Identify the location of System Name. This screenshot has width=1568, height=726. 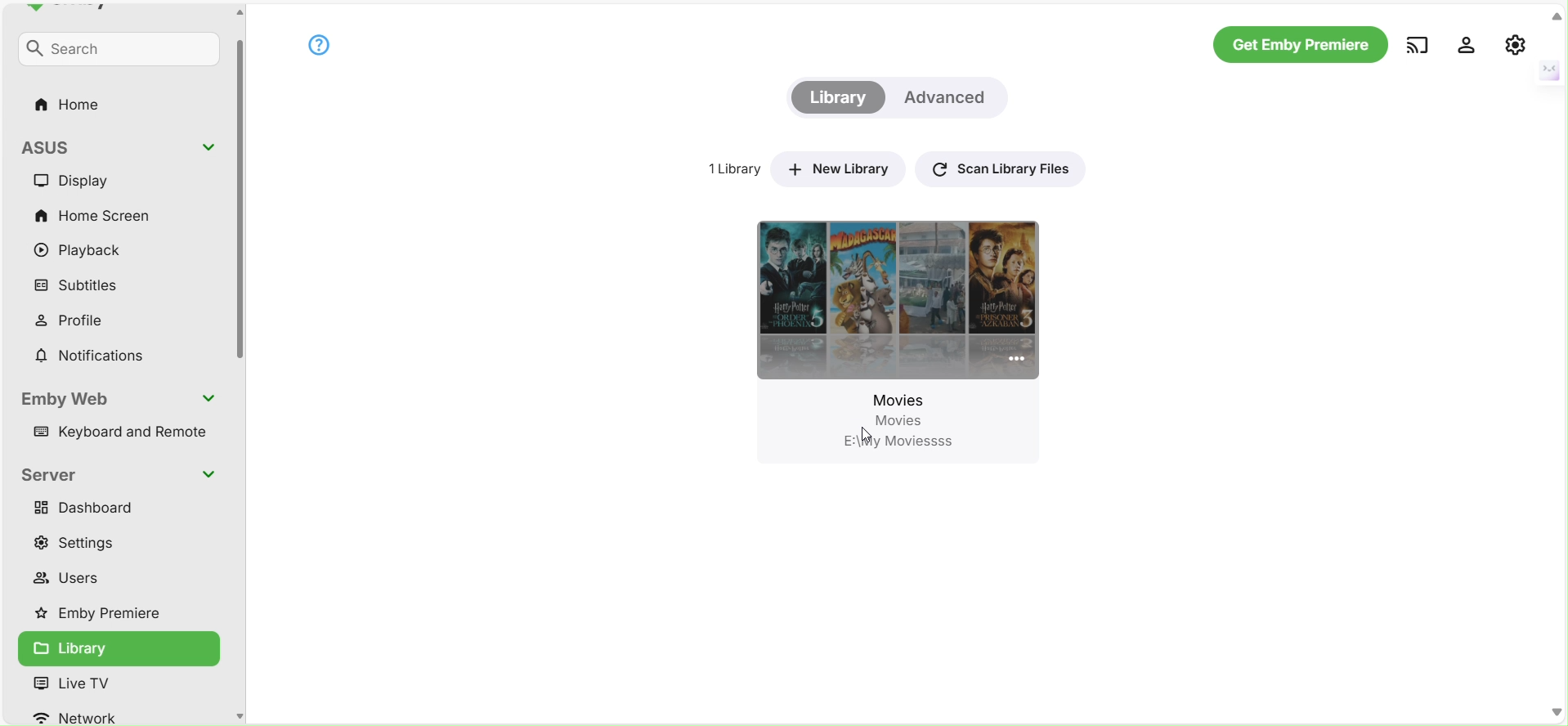
(57, 150).